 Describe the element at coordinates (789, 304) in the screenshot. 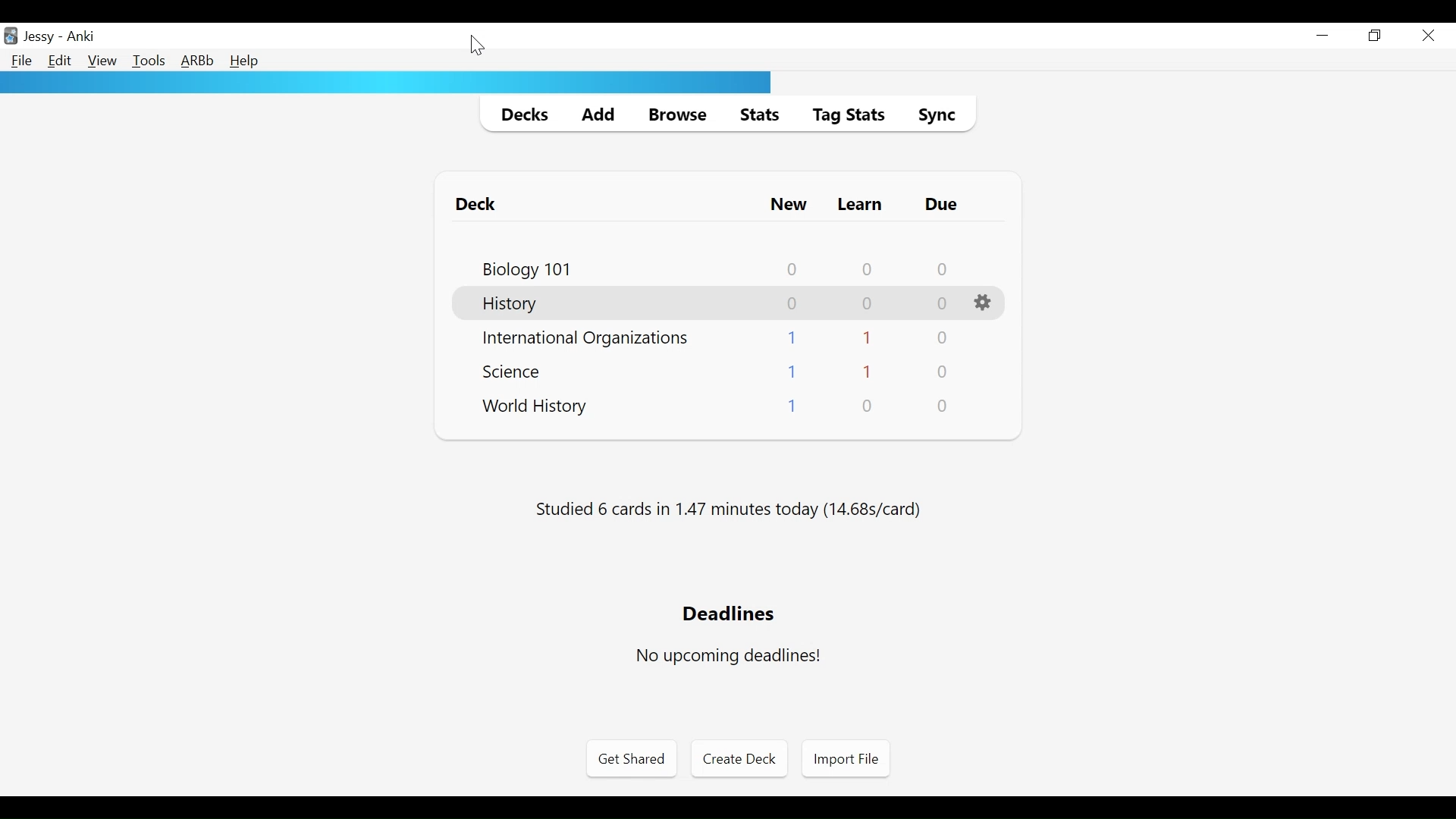

I see `New Card Name` at that location.